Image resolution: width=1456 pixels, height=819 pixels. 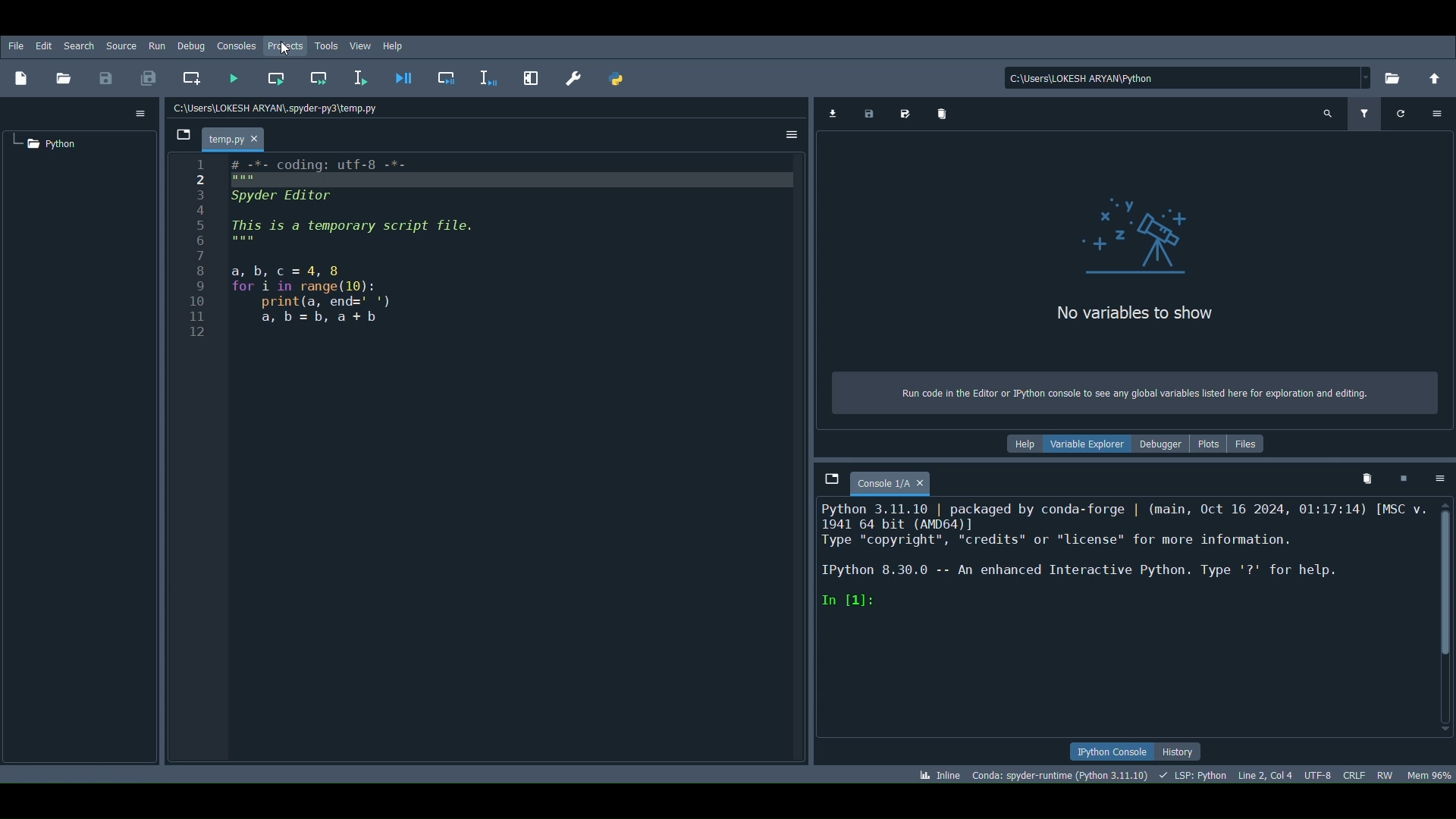 What do you see at coordinates (1439, 114) in the screenshot?
I see `Options` at bounding box center [1439, 114].